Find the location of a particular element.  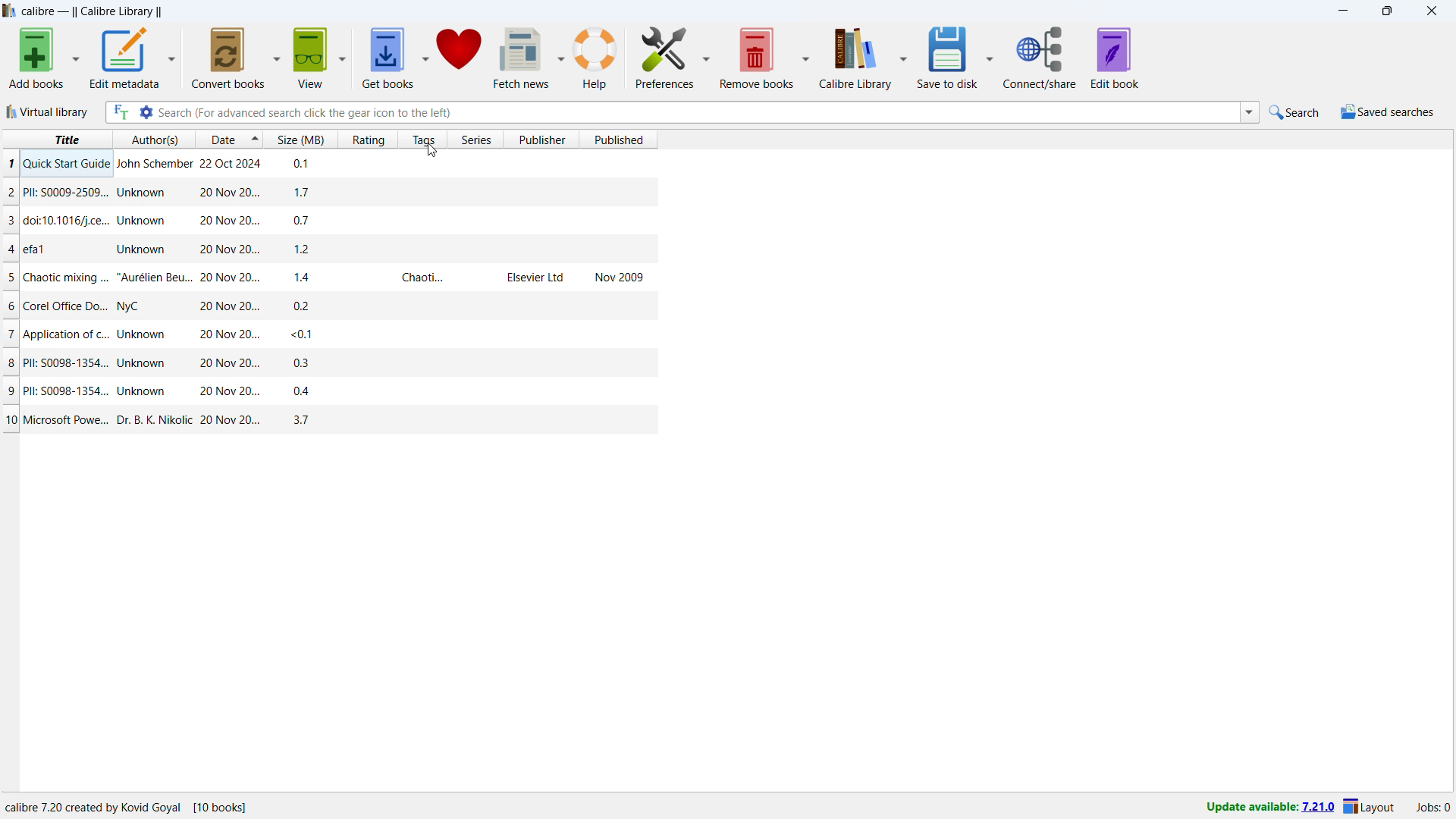

one book entry is located at coordinates (328, 277).